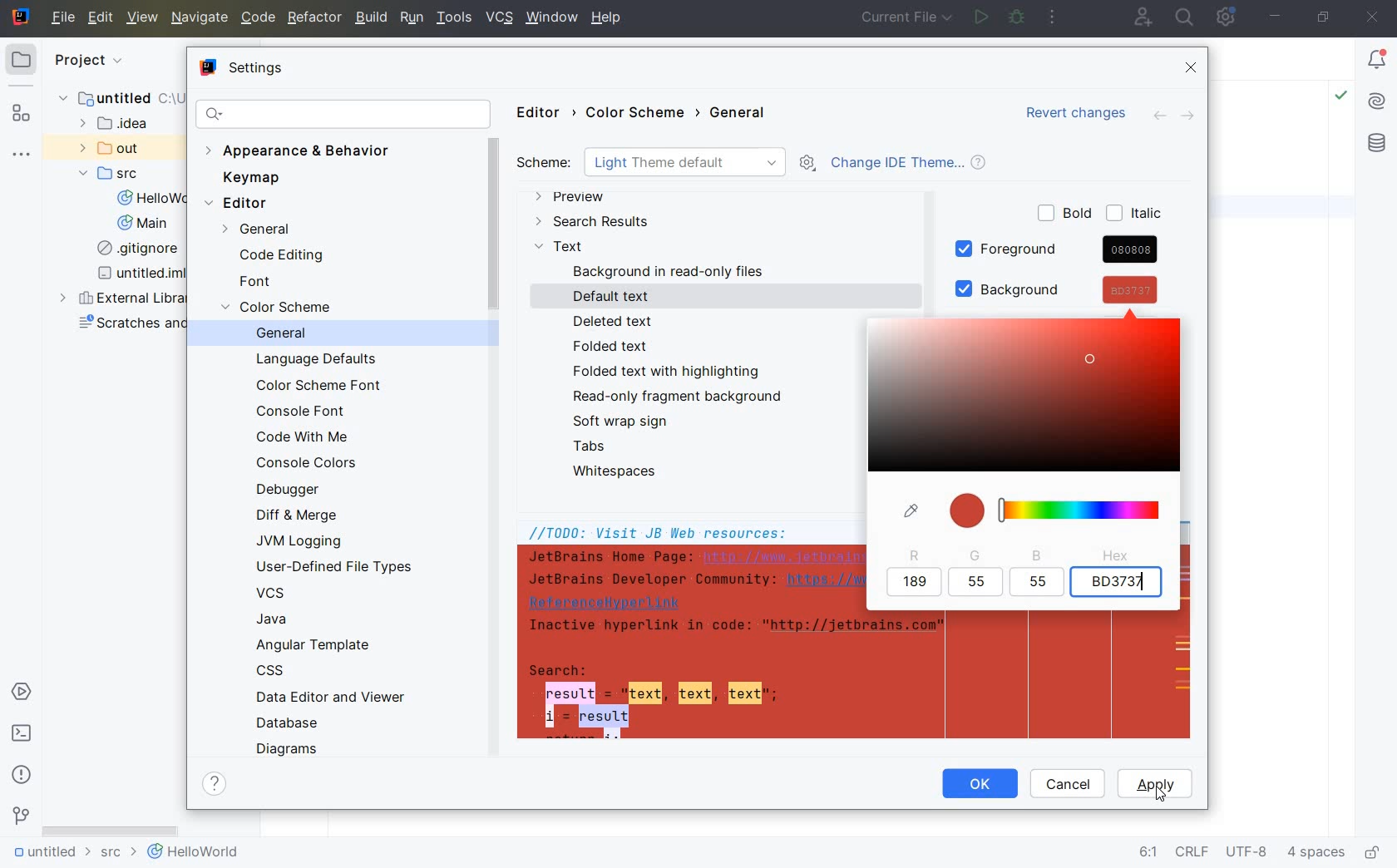 Image resolution: width=1397 pixels, height=868 pixels. Describe the element at coordinates (551, 19) in the screenshot. I see `window` at that location.